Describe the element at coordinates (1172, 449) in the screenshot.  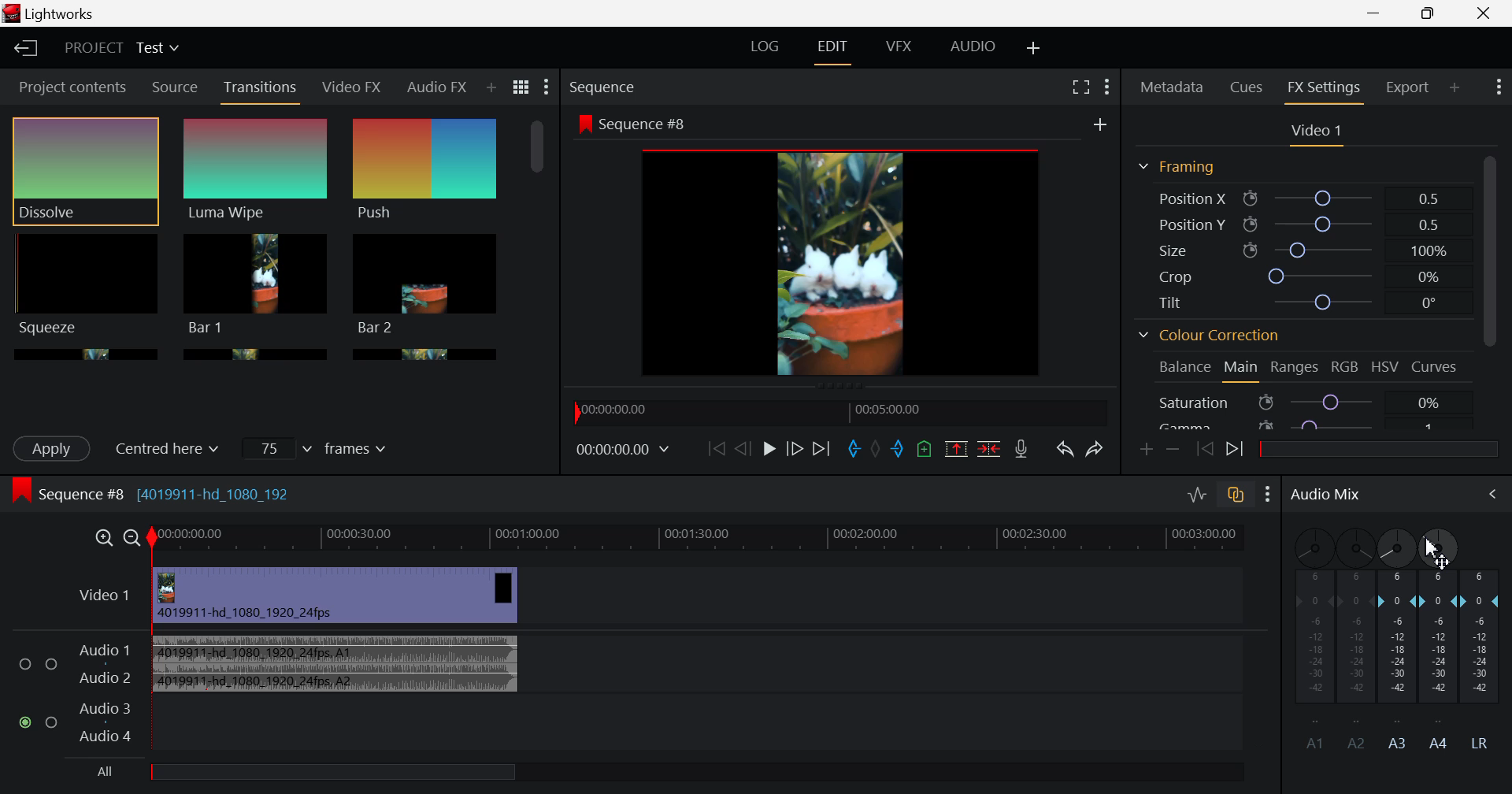
I see `Remove keyframe` at that location.